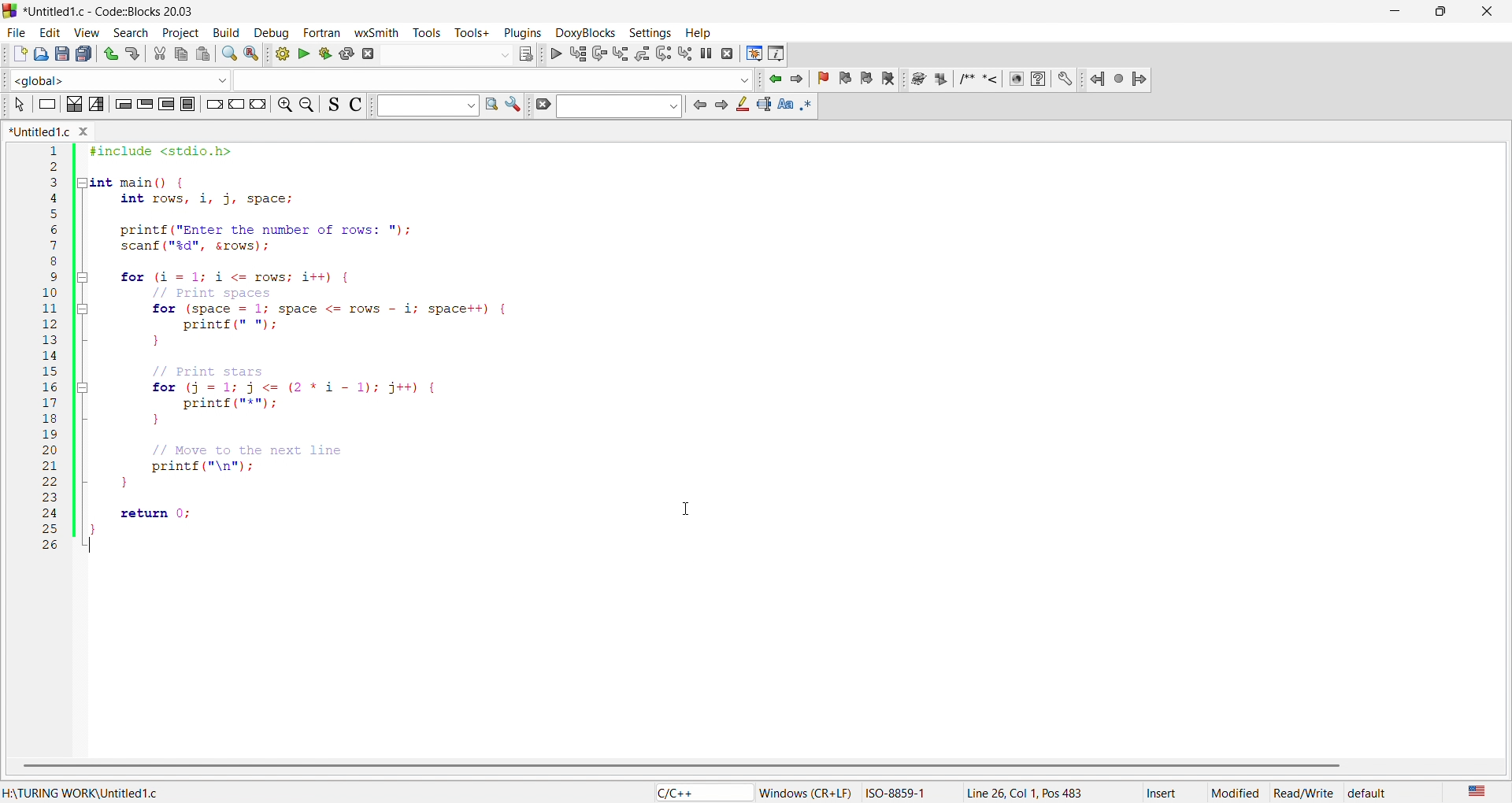  I want to click on icon, so click(514, 108).